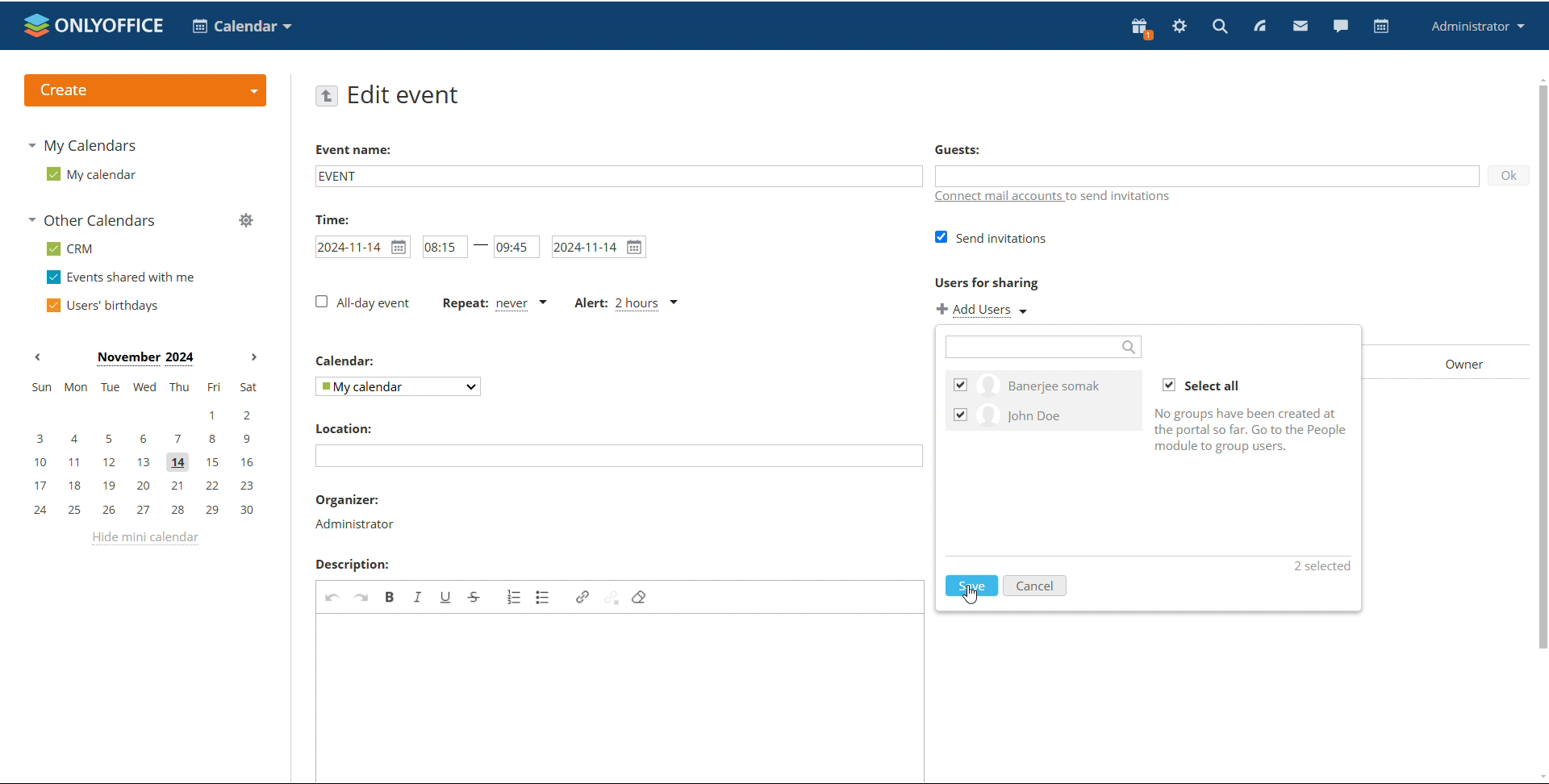  I want to click on inset/remove numbered list, so click(514, 597).